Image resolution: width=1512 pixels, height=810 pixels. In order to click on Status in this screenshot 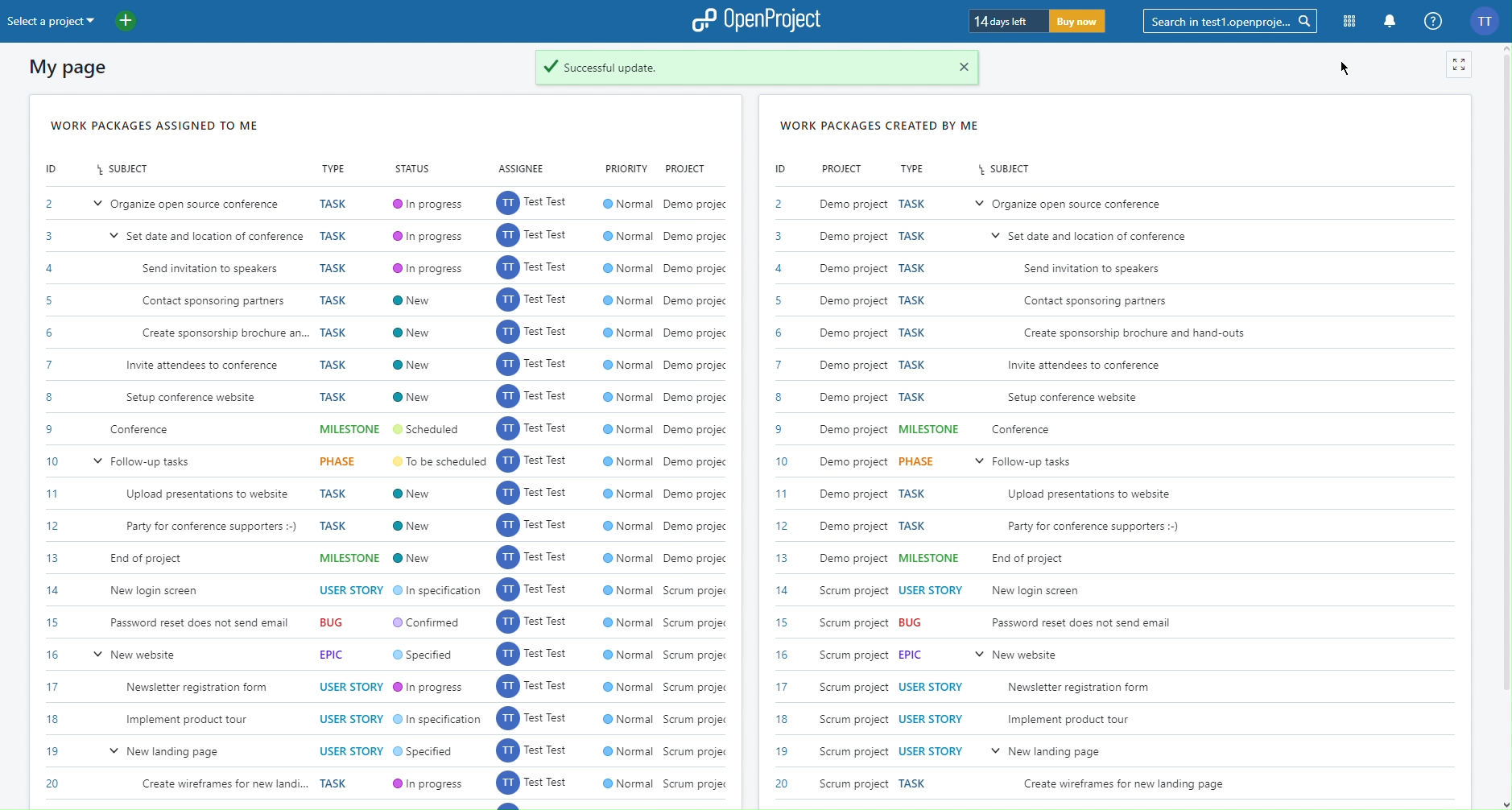, I will do `click(414, 170)`.